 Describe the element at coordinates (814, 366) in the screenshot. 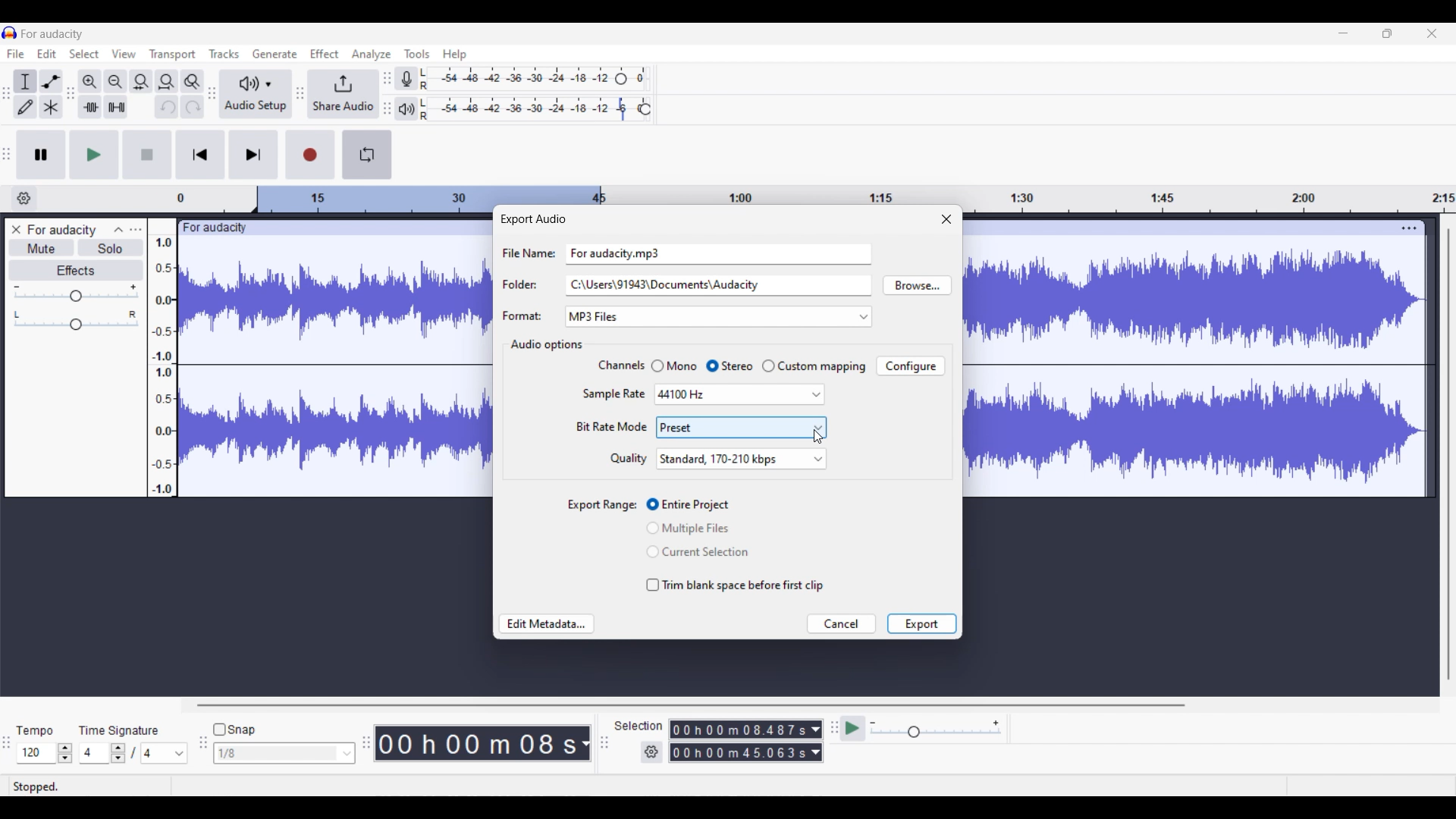

I see `Toggle for Custom mapping` at that location.